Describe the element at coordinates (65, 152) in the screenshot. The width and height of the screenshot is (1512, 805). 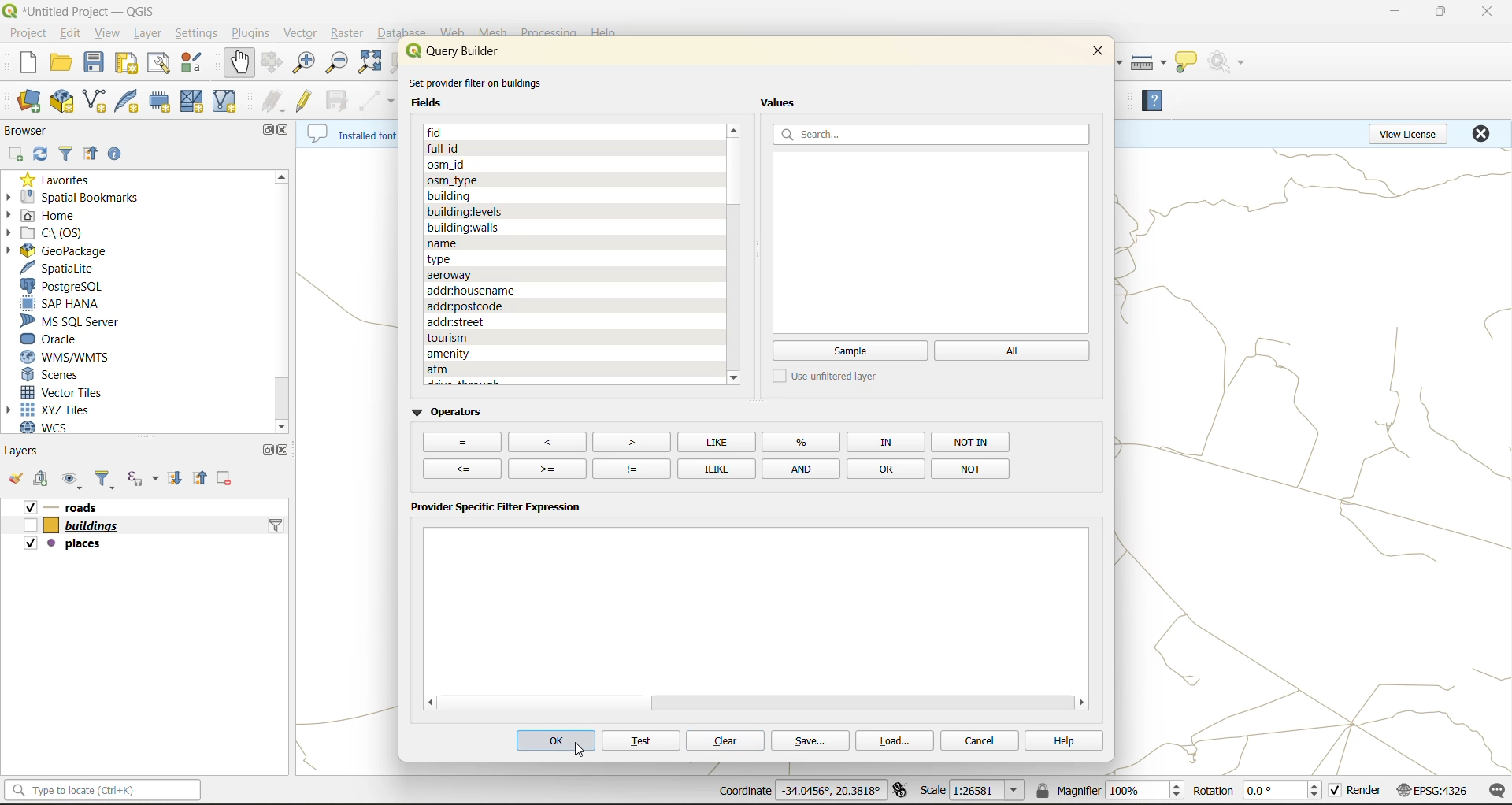
I see `filter` at that location.